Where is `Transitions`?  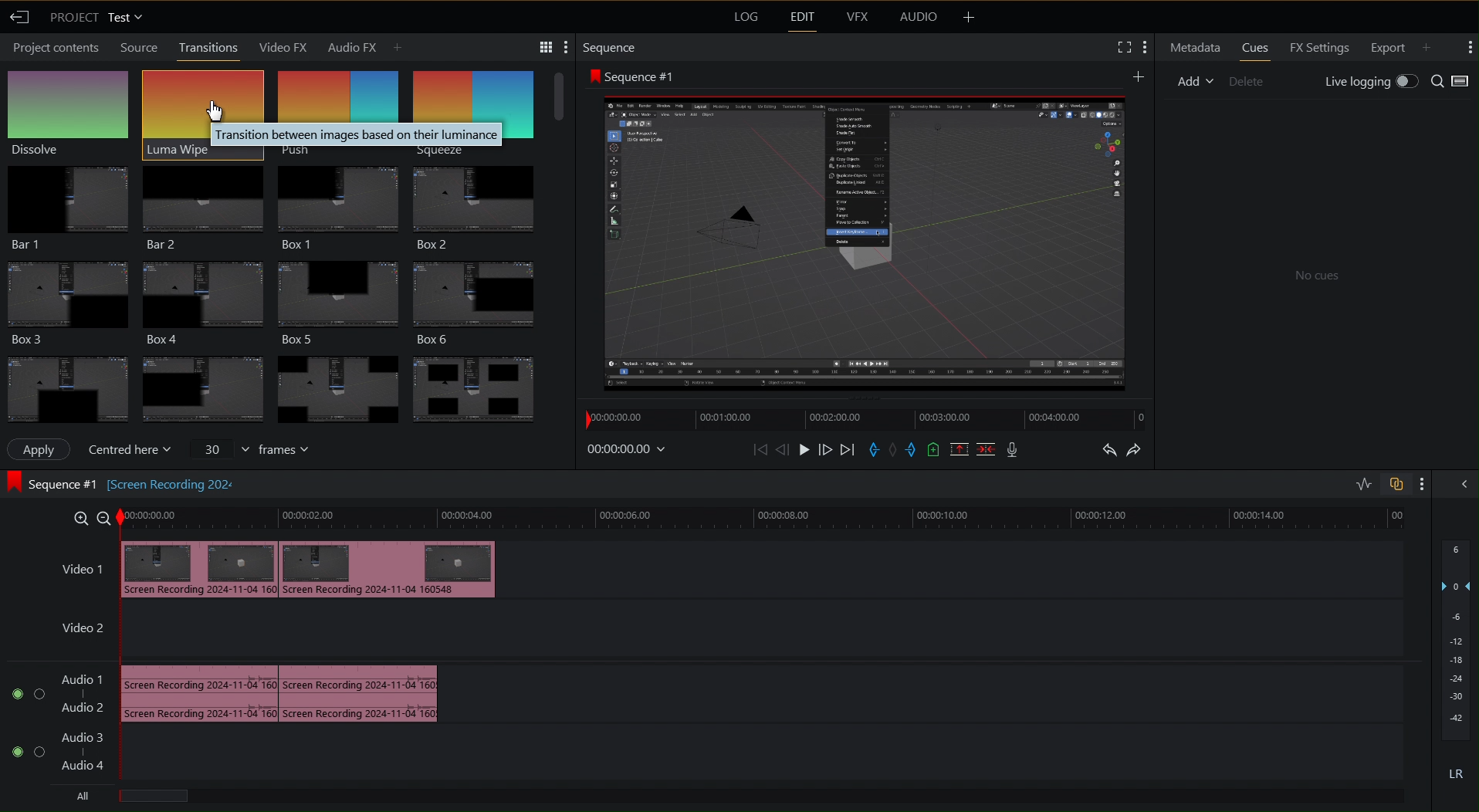
Transitions is located at coordinates (276, 384).